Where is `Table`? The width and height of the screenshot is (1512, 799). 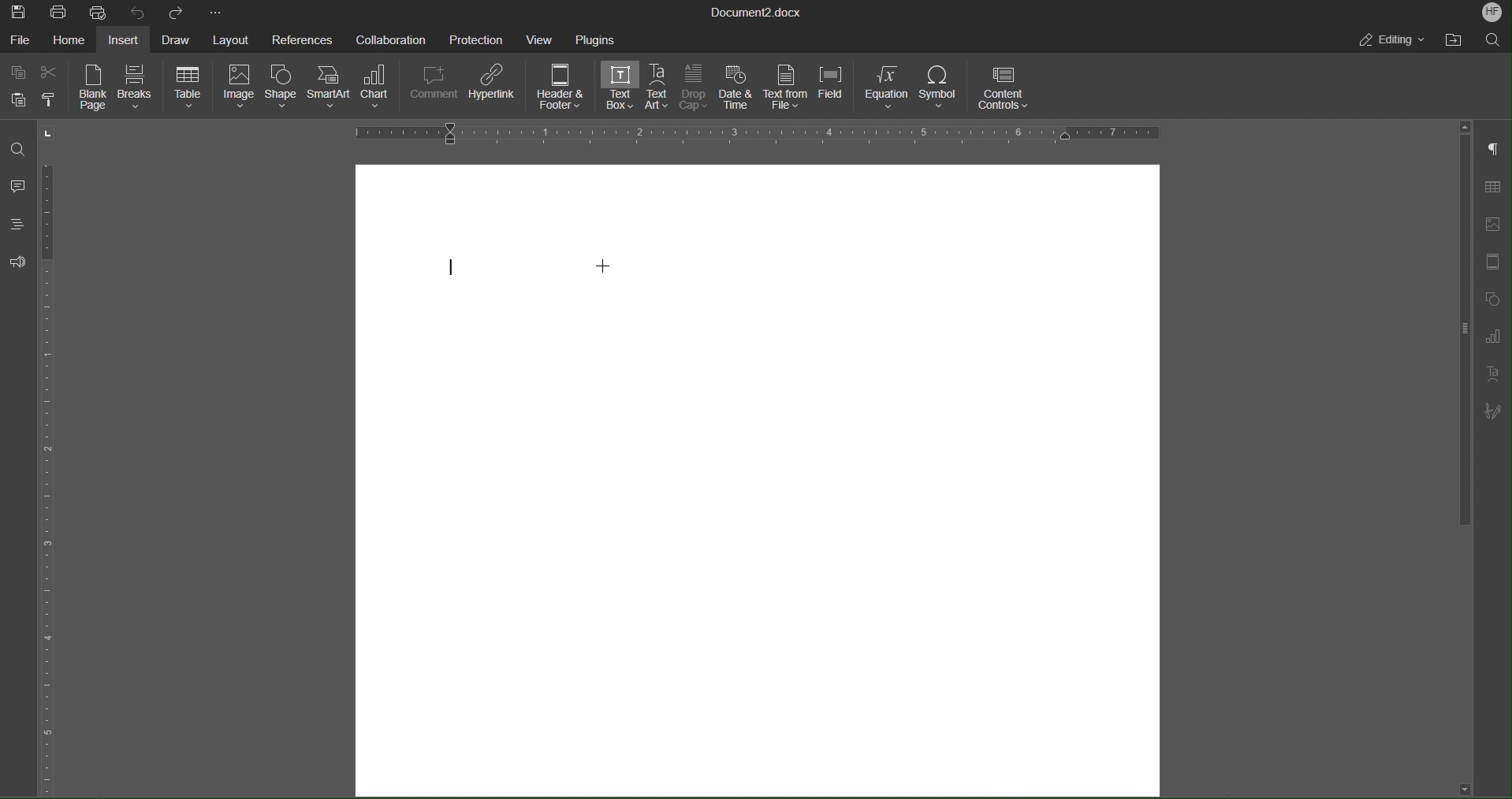 Table is located at coordinates (189, 88).